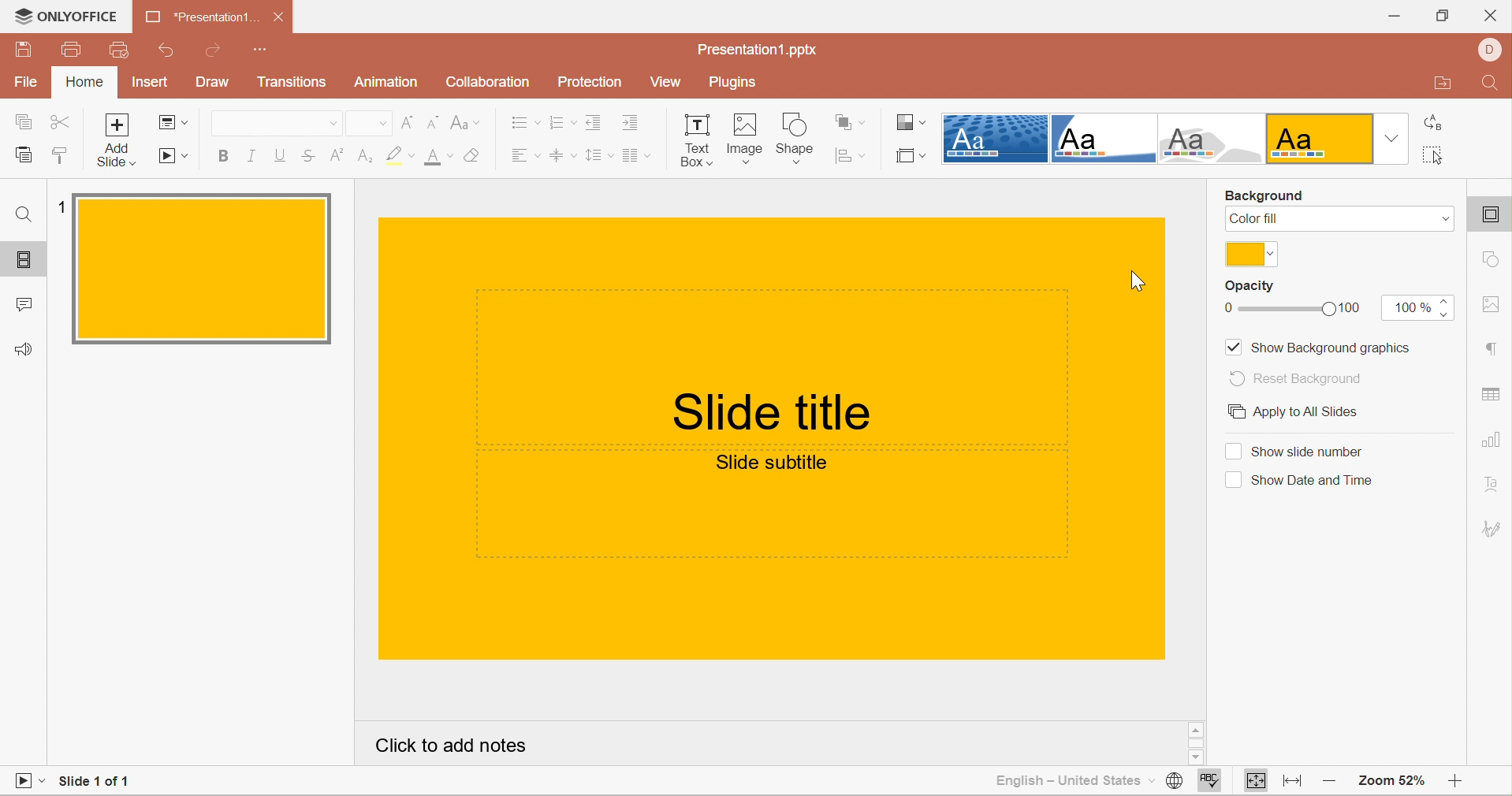 The width and height of the screenshot is (1512, 796). What do you see at coordinates (117, 125) in the screenshot?
I see `Add slide` at bounding box center [117, 125].